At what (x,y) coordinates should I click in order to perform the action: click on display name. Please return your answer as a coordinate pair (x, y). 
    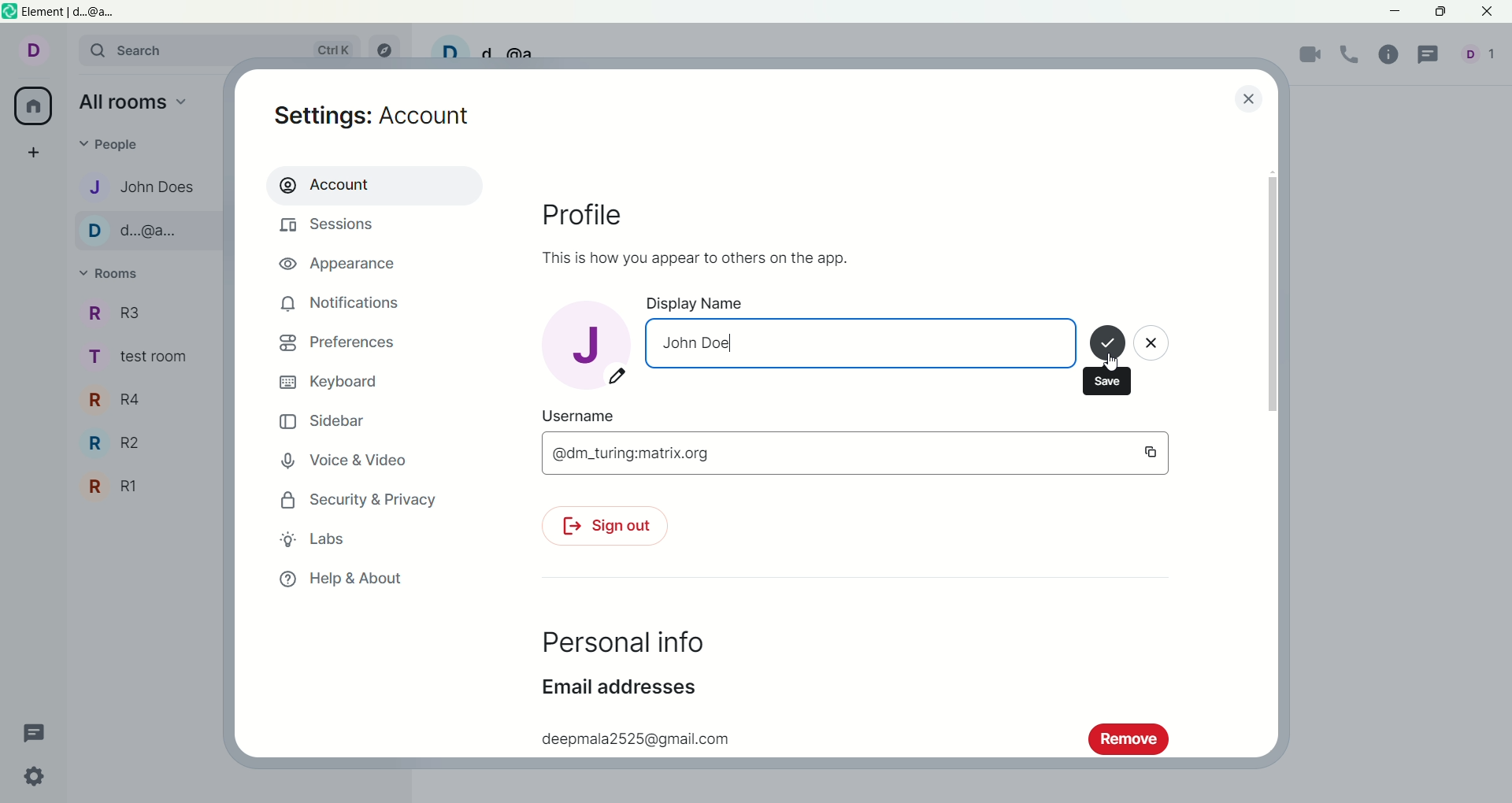
    Looking at the image, I should click on (738, 305).